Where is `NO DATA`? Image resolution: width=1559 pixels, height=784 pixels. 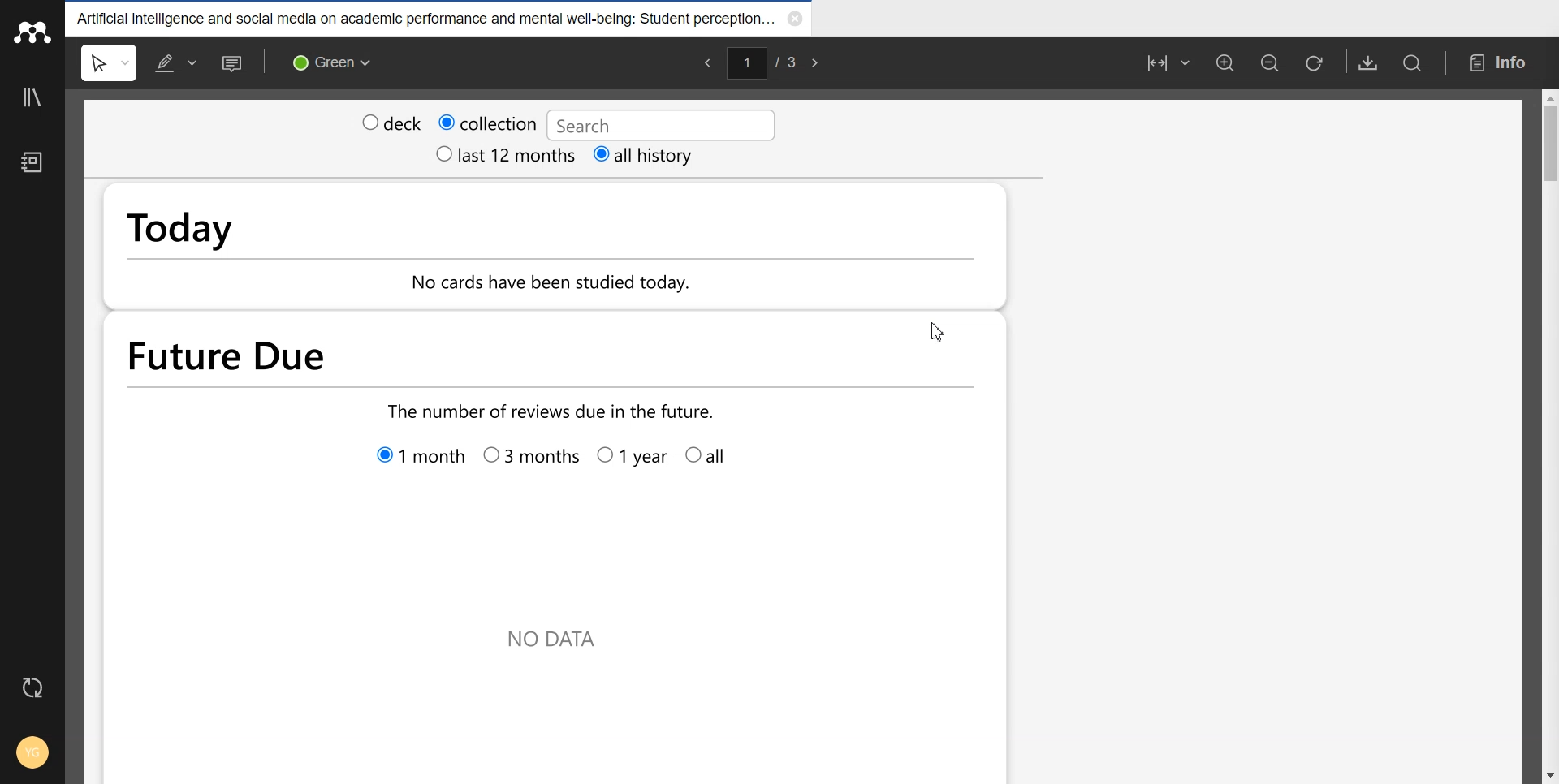
NO DATA is located at coordinates (555, 644).